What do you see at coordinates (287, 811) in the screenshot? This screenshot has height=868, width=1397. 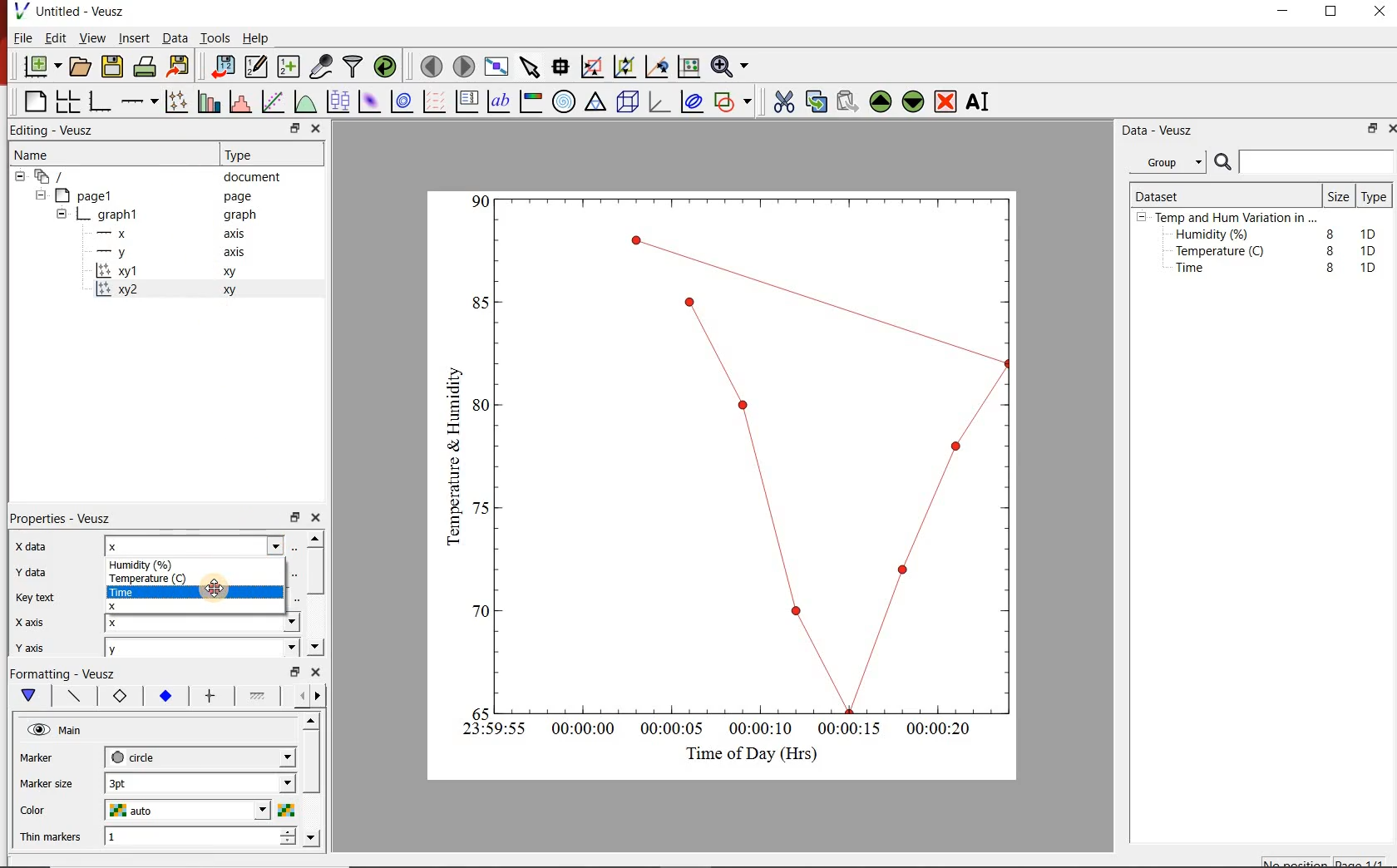 I see `Select color` at bounding box center [287, 811].